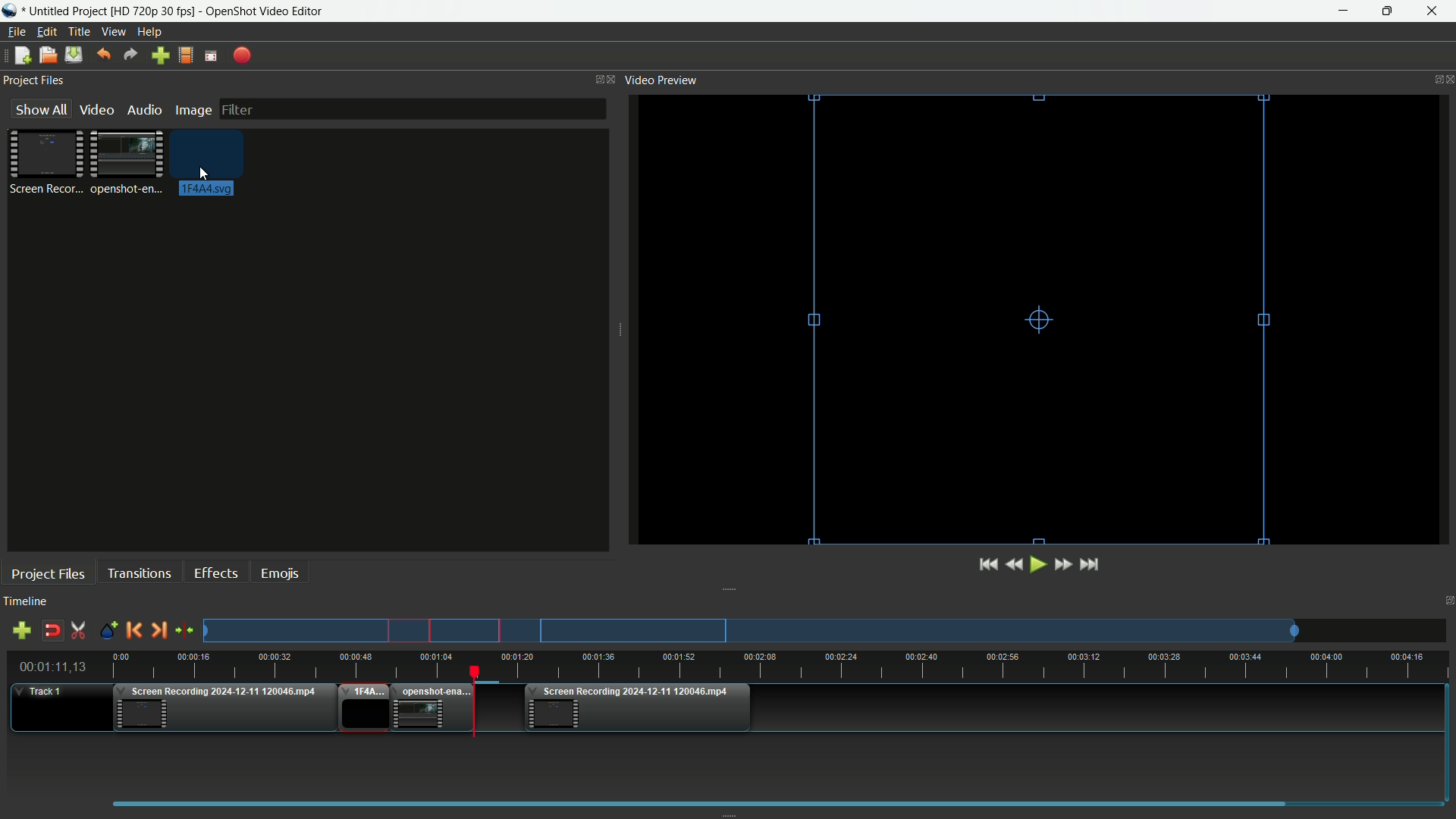 Image resolution: width=1456 pixels, height=819 pixels. I want to click on center the timeline on the playhead, so click(185, 631).